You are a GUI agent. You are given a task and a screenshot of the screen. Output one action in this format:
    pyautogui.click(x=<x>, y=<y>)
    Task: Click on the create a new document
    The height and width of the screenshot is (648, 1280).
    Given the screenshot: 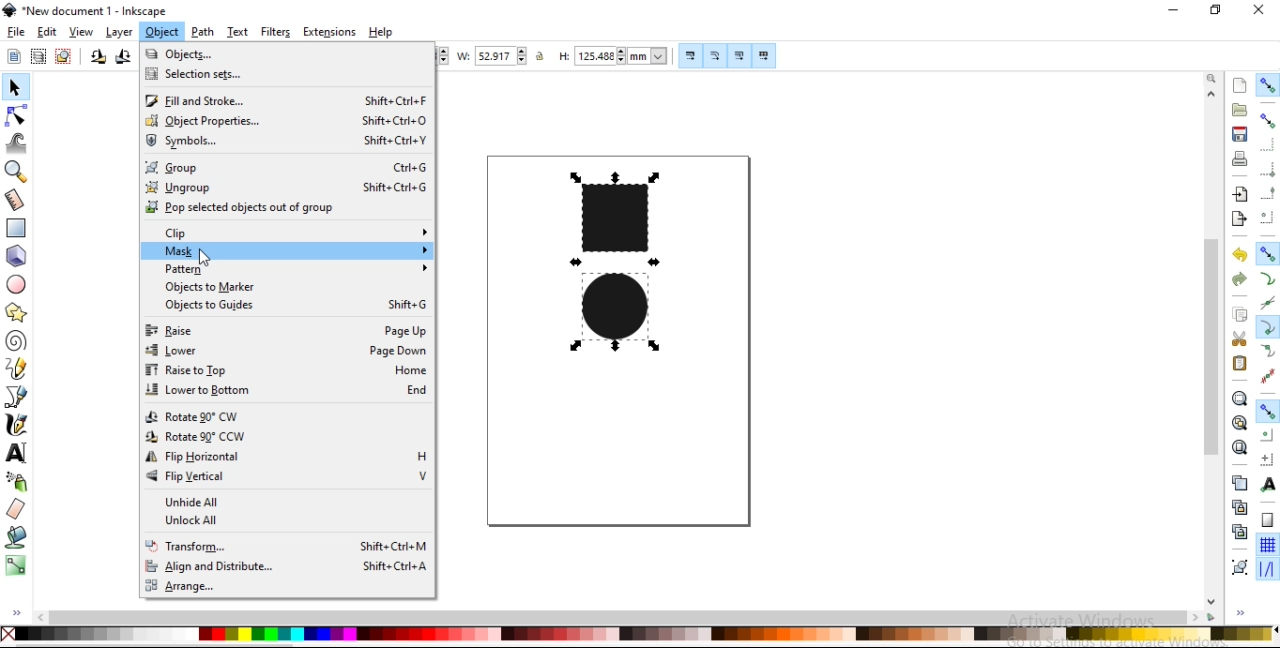 What is the action you would take?
    pyautogui.click(x=1241, y=85)
    